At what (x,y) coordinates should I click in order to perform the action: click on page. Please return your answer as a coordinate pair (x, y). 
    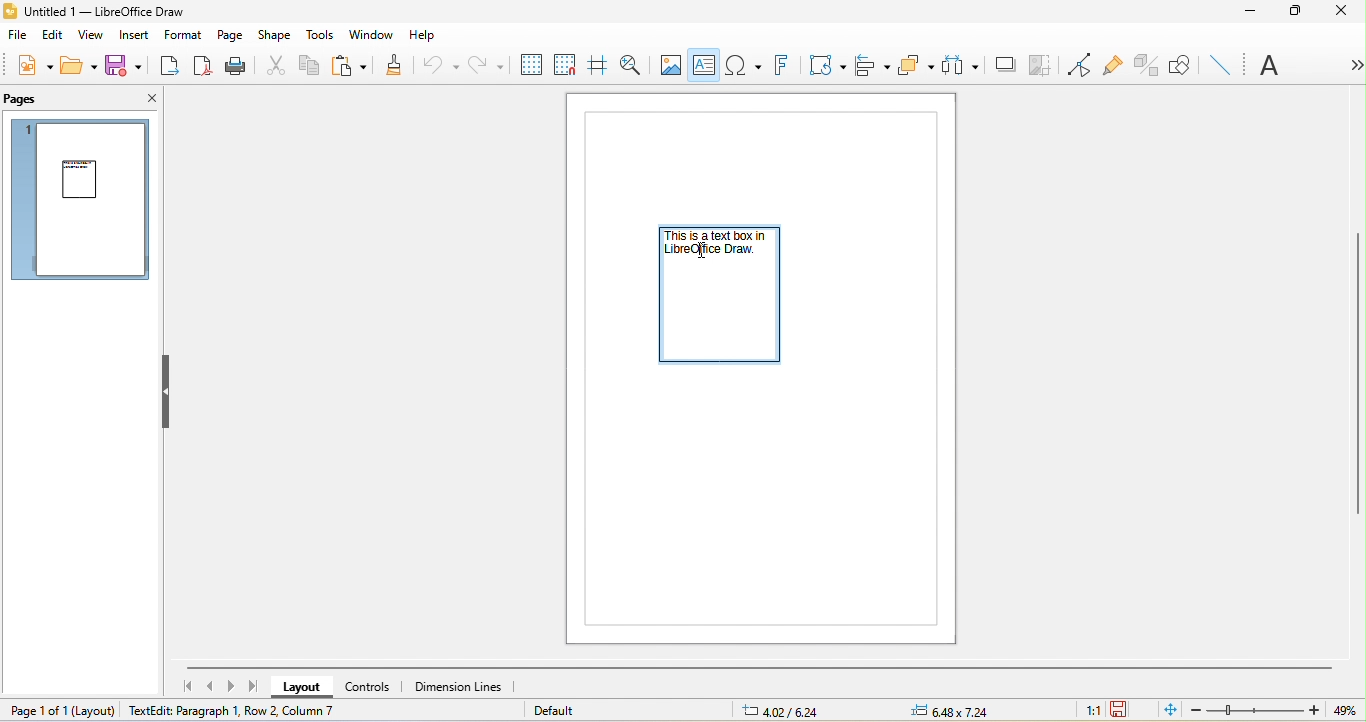
    Looking at the image, I should click on (232, 36).